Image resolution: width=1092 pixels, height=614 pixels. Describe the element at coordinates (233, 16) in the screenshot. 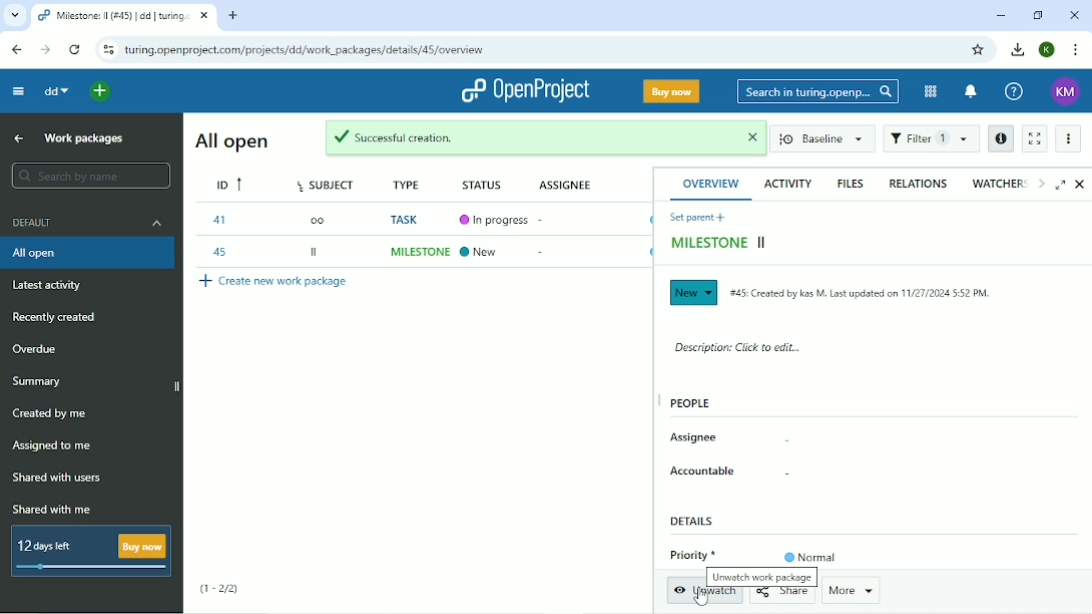

I see `New tab` at that location.